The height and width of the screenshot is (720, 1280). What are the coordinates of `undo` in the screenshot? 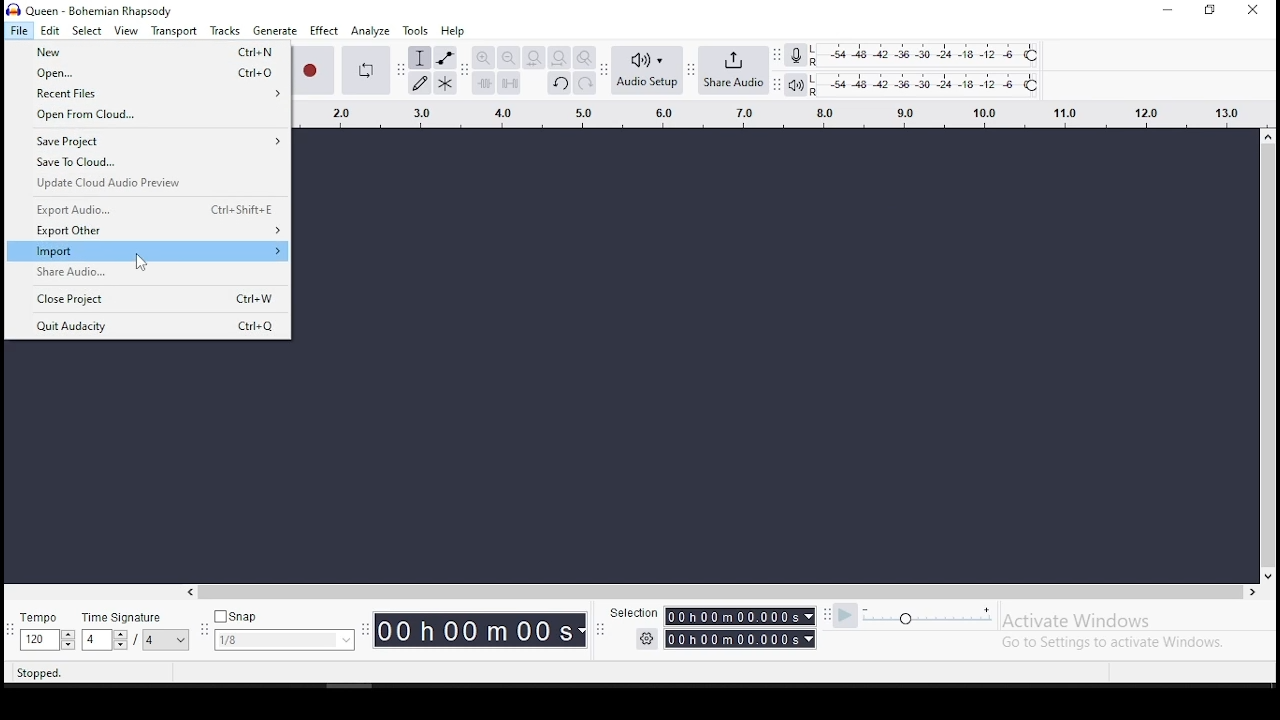 It's located at (559, 85).